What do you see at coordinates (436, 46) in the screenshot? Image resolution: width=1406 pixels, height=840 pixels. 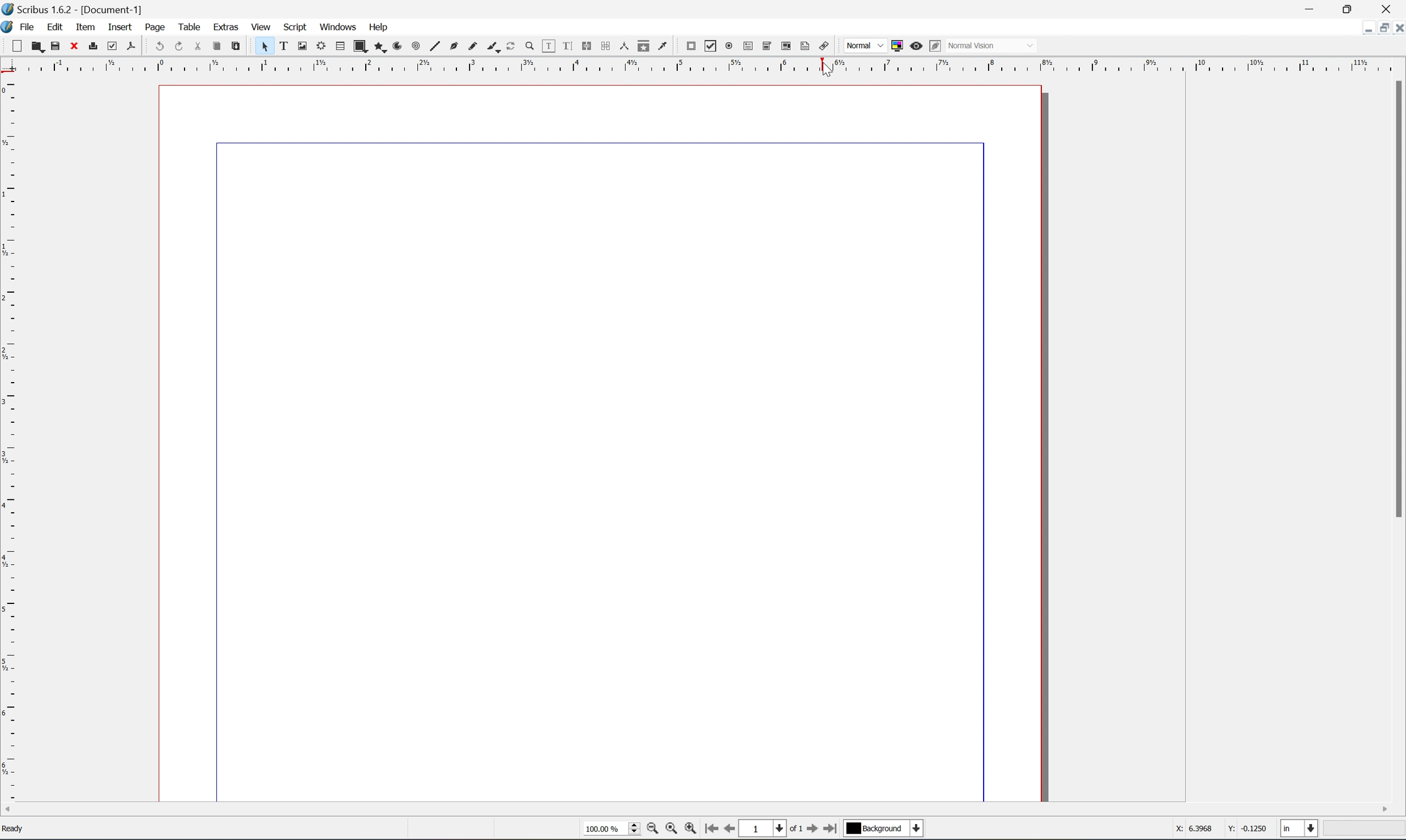 I see `line` at bounding box center [436, 46].